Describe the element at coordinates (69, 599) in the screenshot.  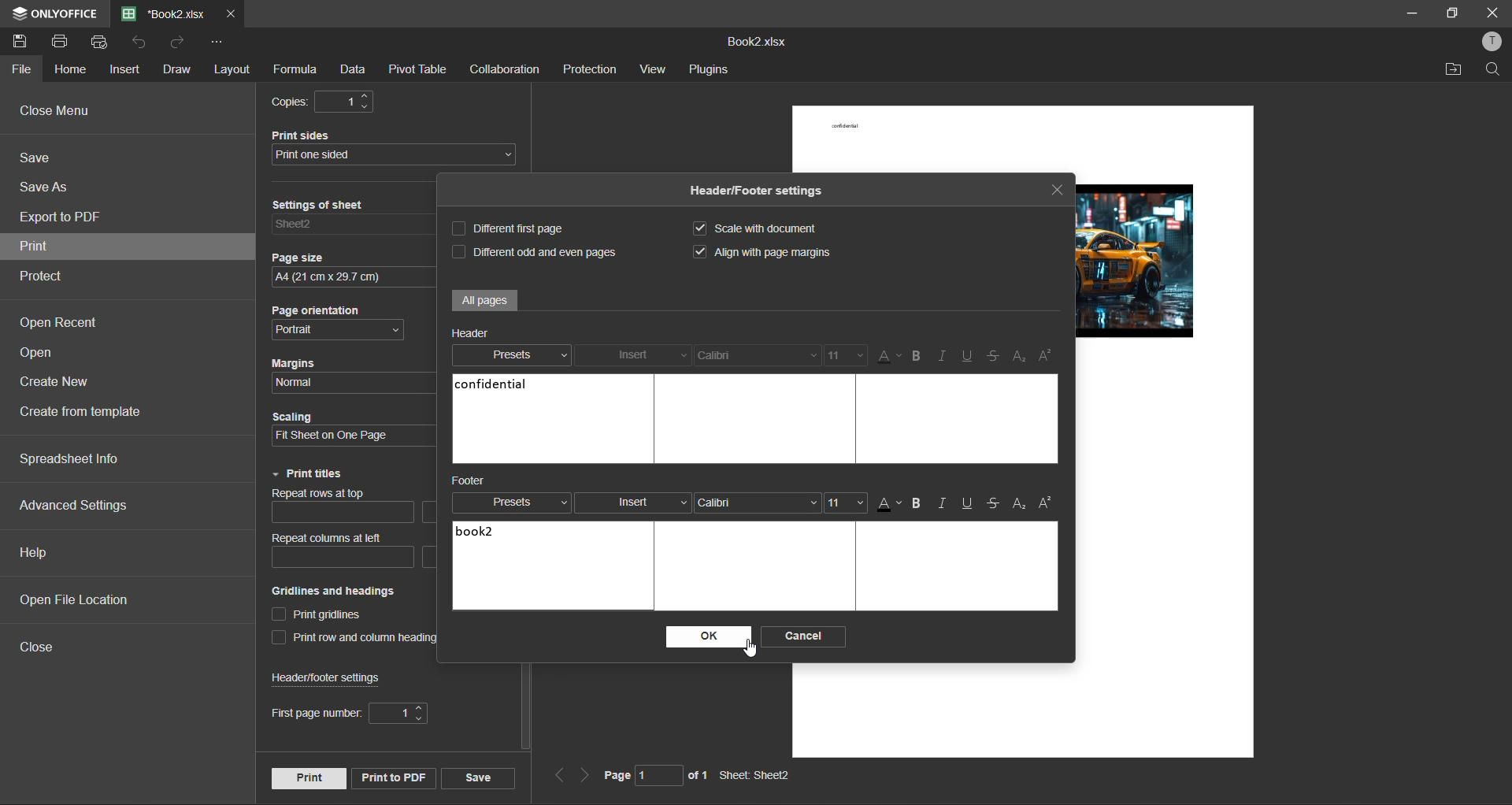
I see `open file location` at that location.